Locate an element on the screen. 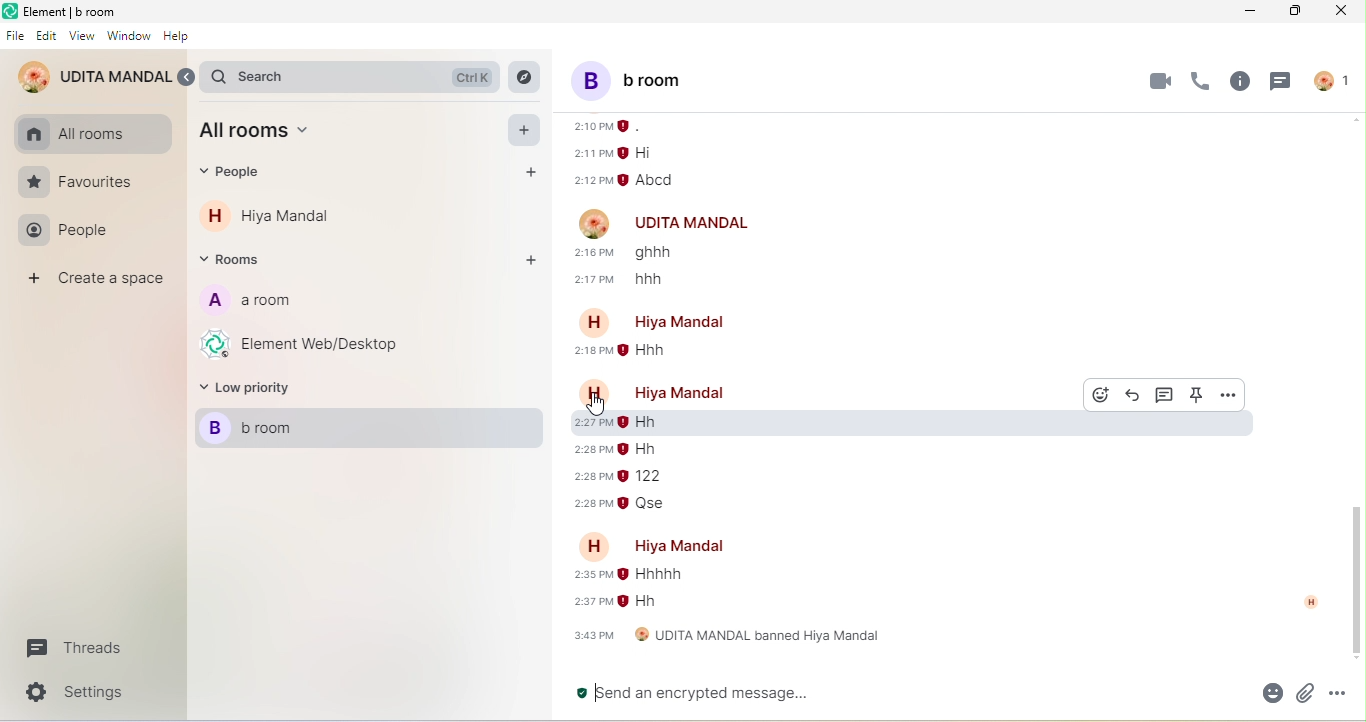  expand is located at coordinates (189, 78).